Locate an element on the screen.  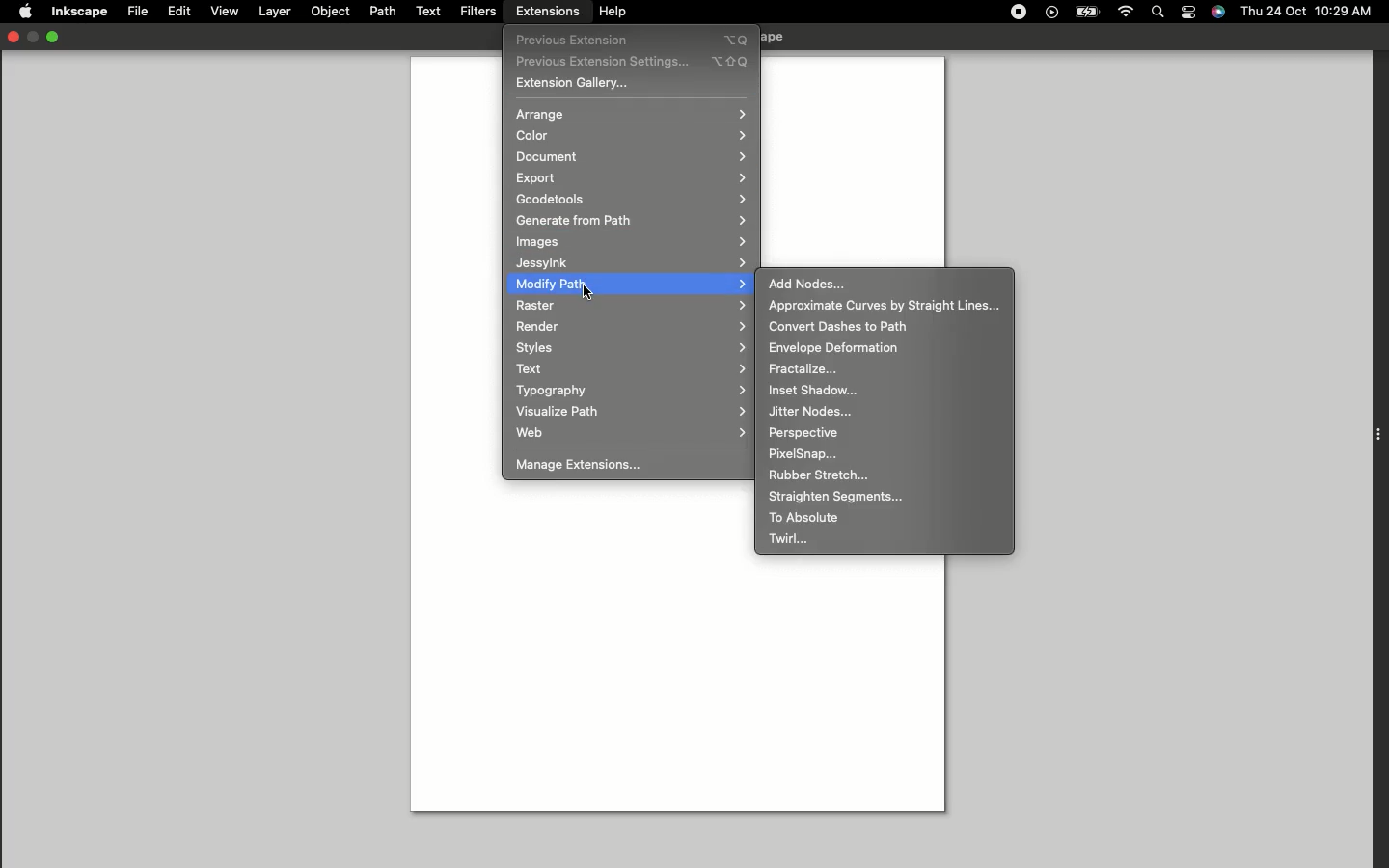
Extension is located at coordinates (1379, 427).